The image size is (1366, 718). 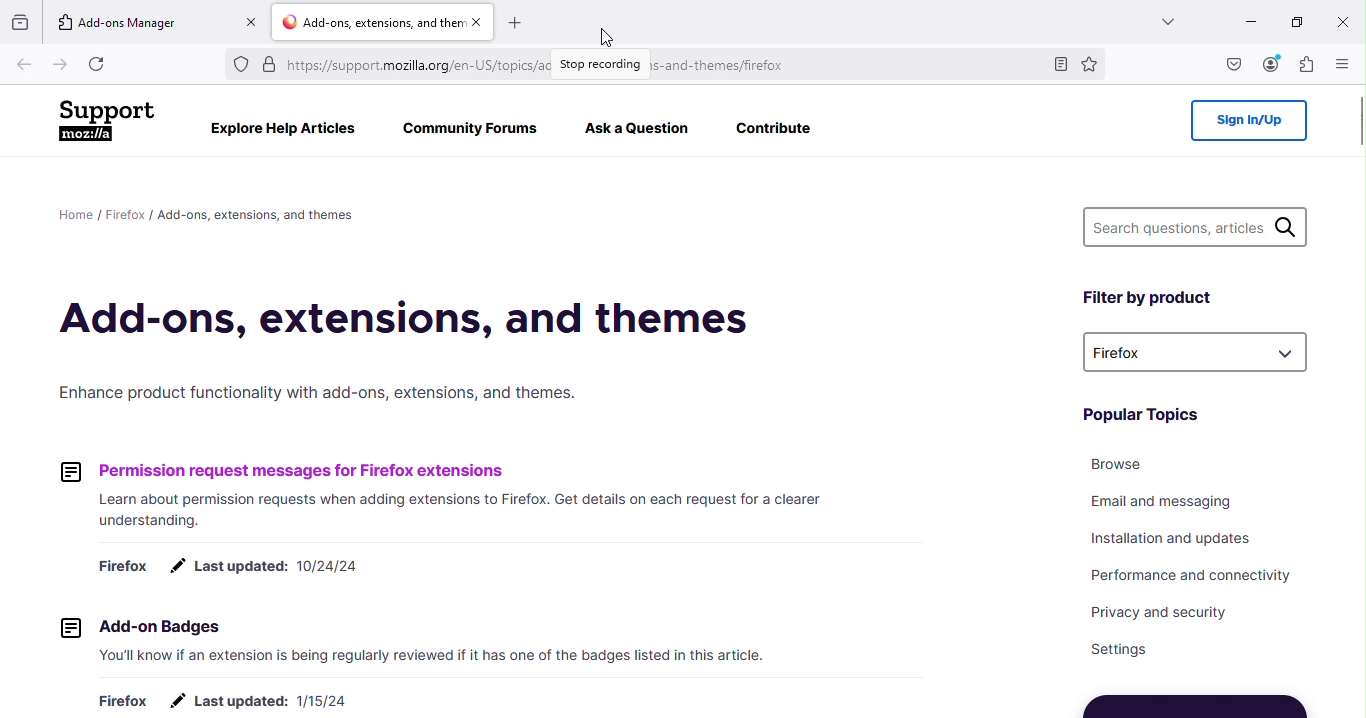 I want to click on Learn about permission requests when adding extensions to Firefox. Get details on each request for a clearer
understanding., so click(x=481, y=507).